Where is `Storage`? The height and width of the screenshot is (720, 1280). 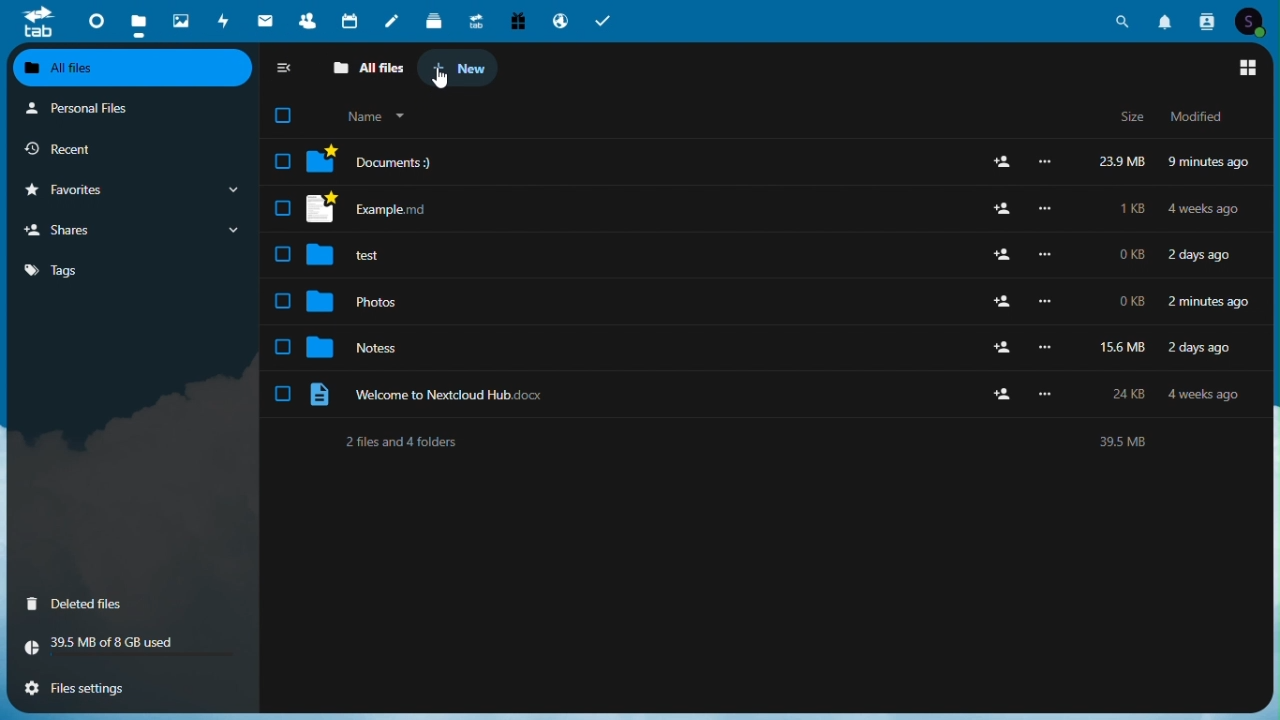
Storage is located at coordinates (131, 648).